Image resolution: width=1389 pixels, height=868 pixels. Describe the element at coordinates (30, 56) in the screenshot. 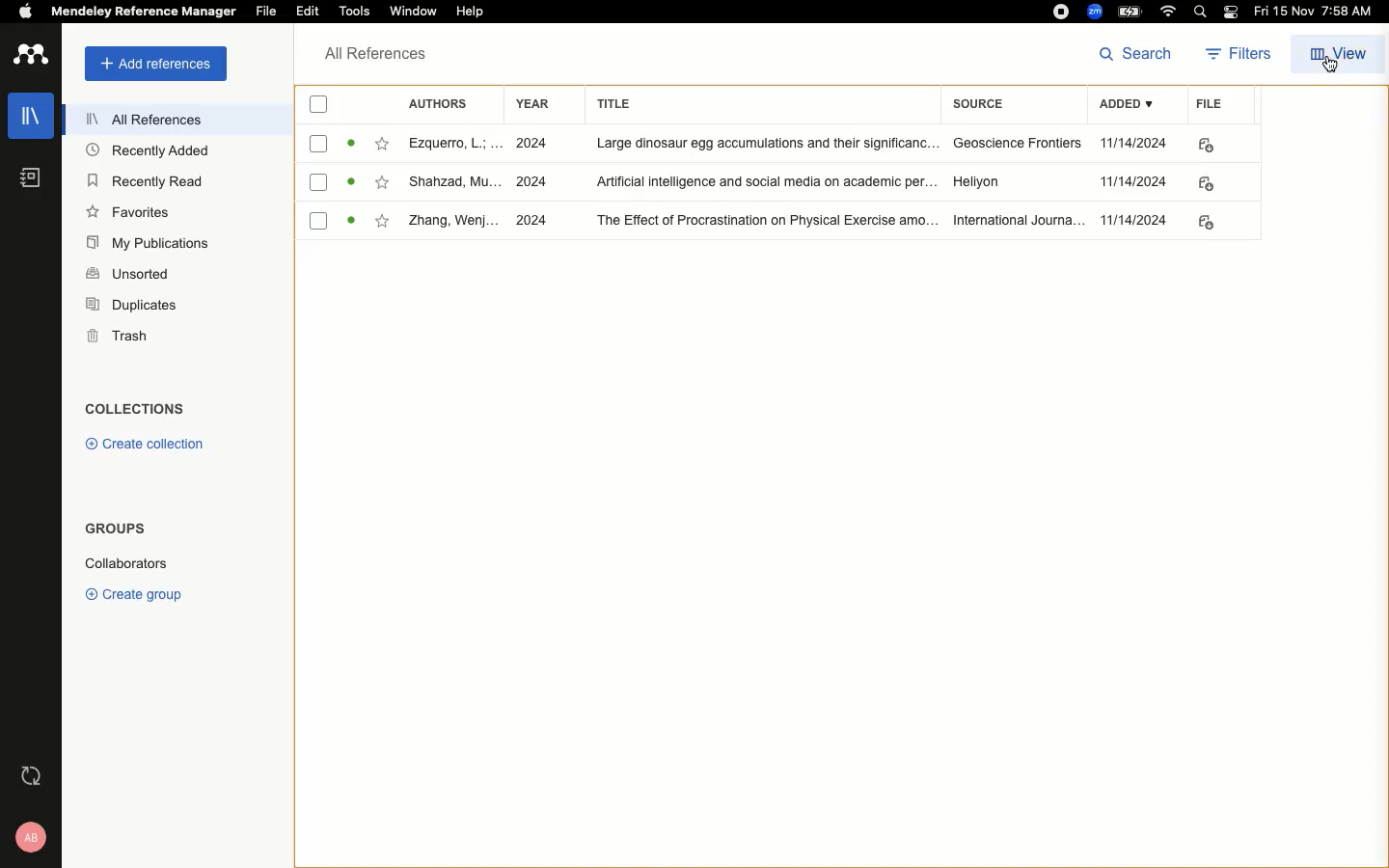

I see `Logo` at that location.